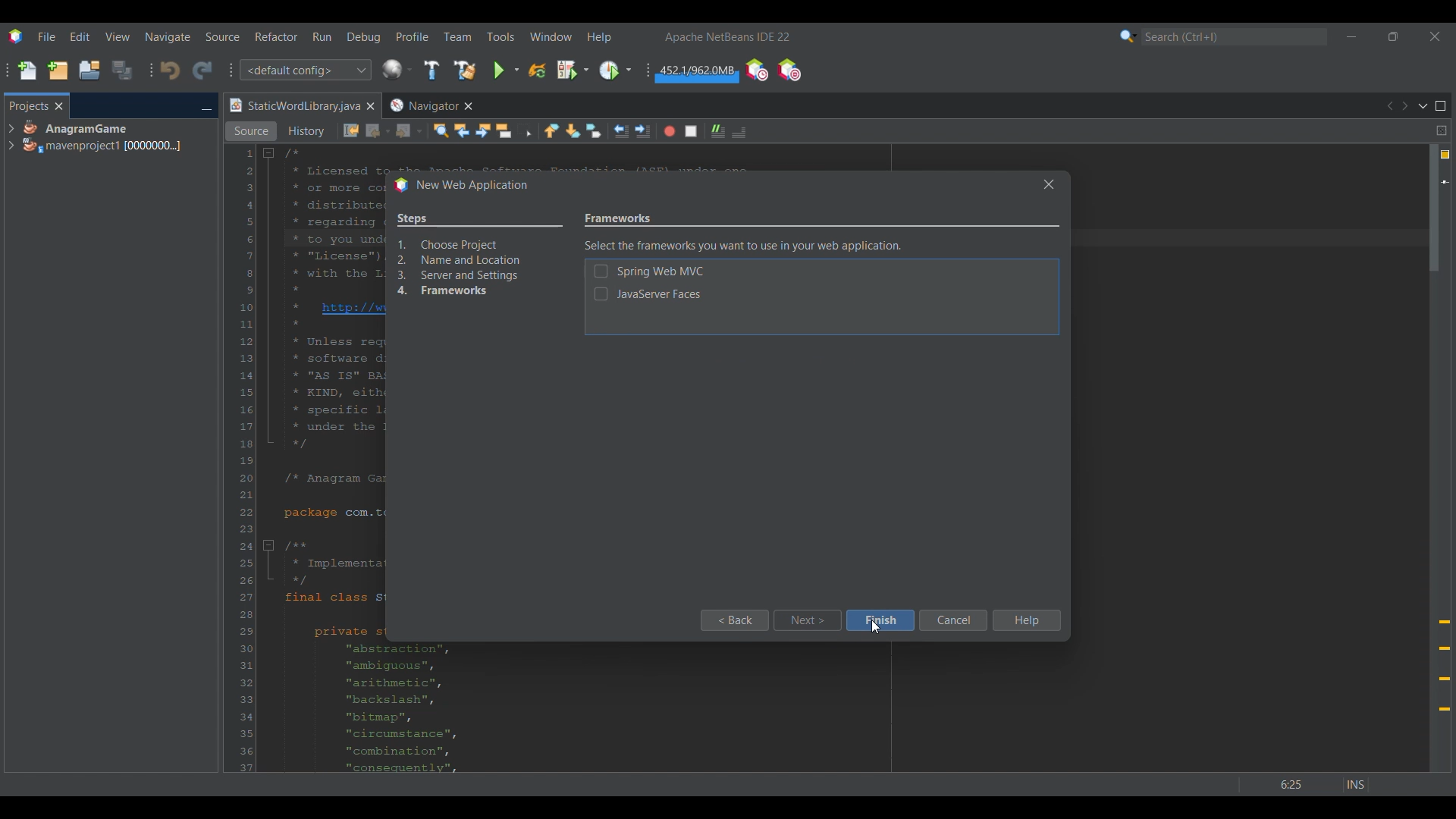 The width and height of the screenshot is (1456, 819). Describe the element at coordinates (507, 70) in the screenshot. I see `Run main project options` at that location.